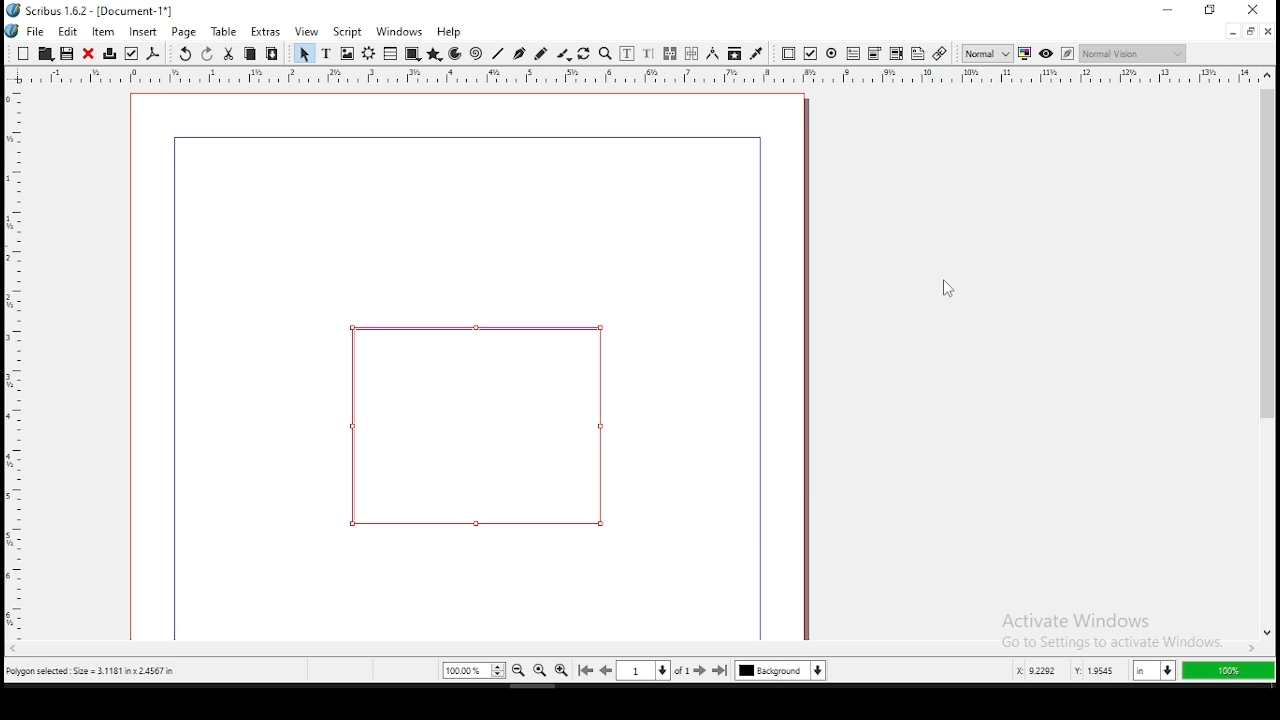  Describe the element at coordinates (1268, 32) in the screenshot. I see `close` at that location.